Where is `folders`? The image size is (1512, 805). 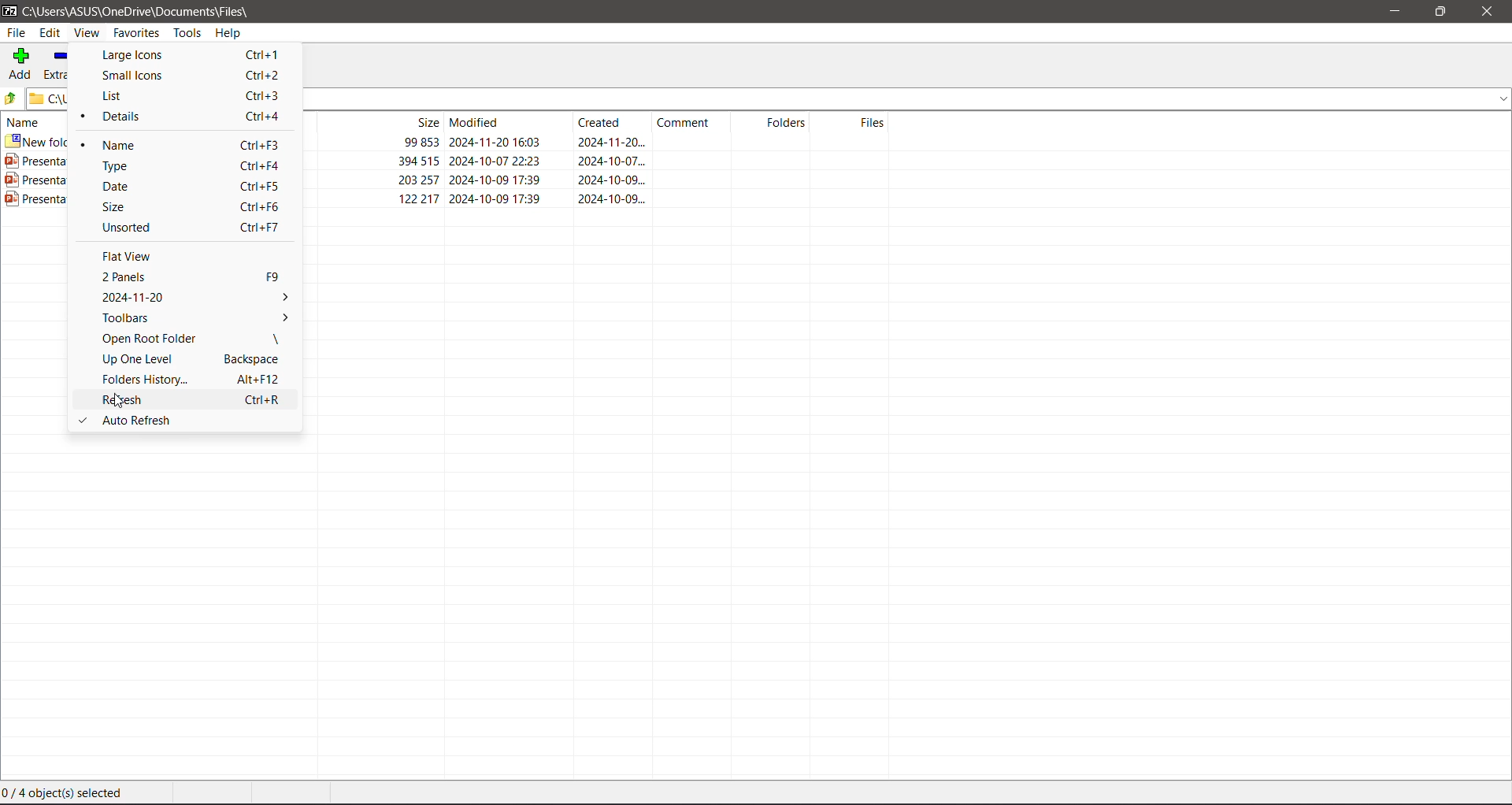
folders is located at coordinates (771, 121).